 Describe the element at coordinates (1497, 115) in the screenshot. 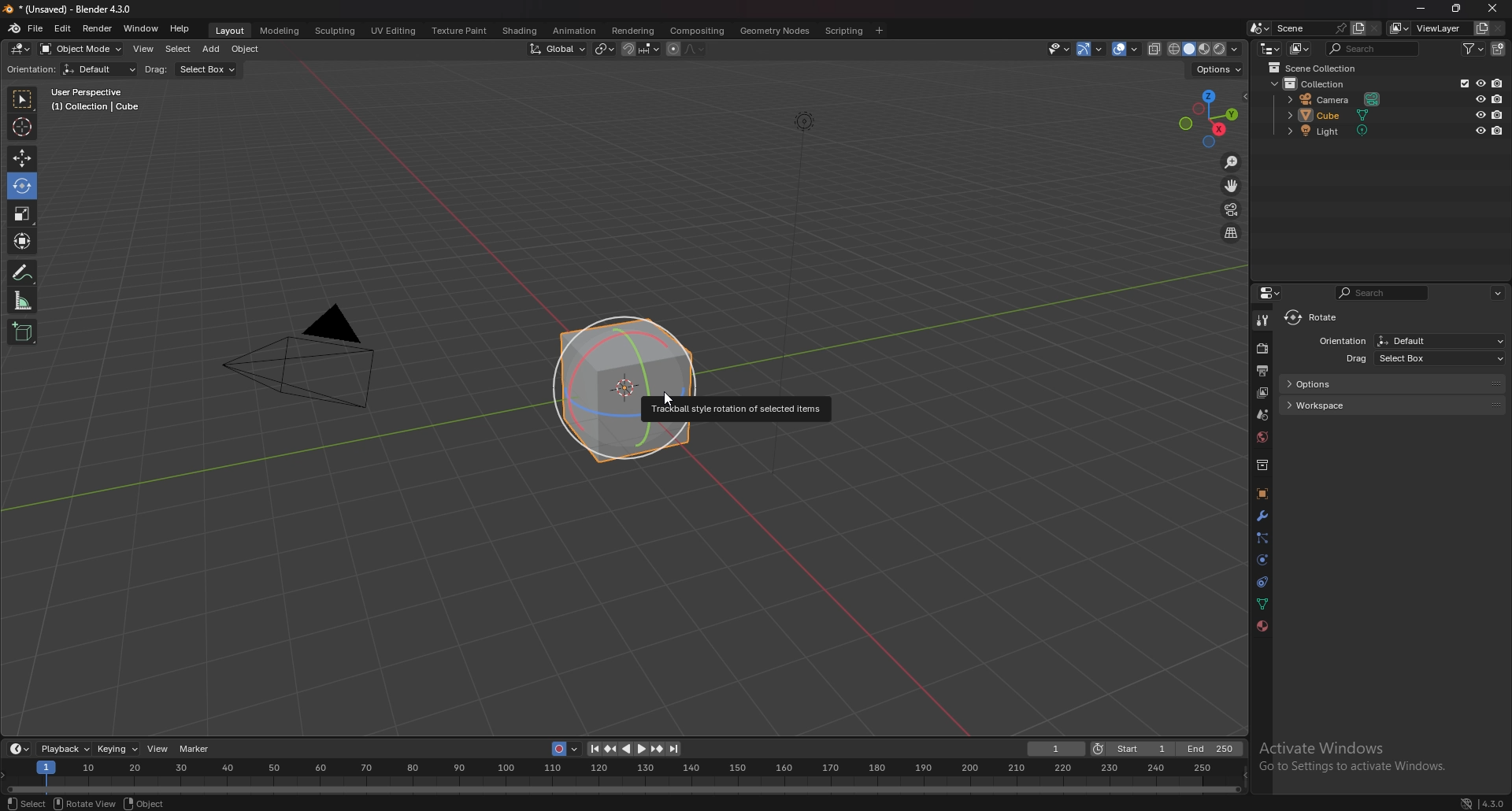

I see `disable in render` at that location.